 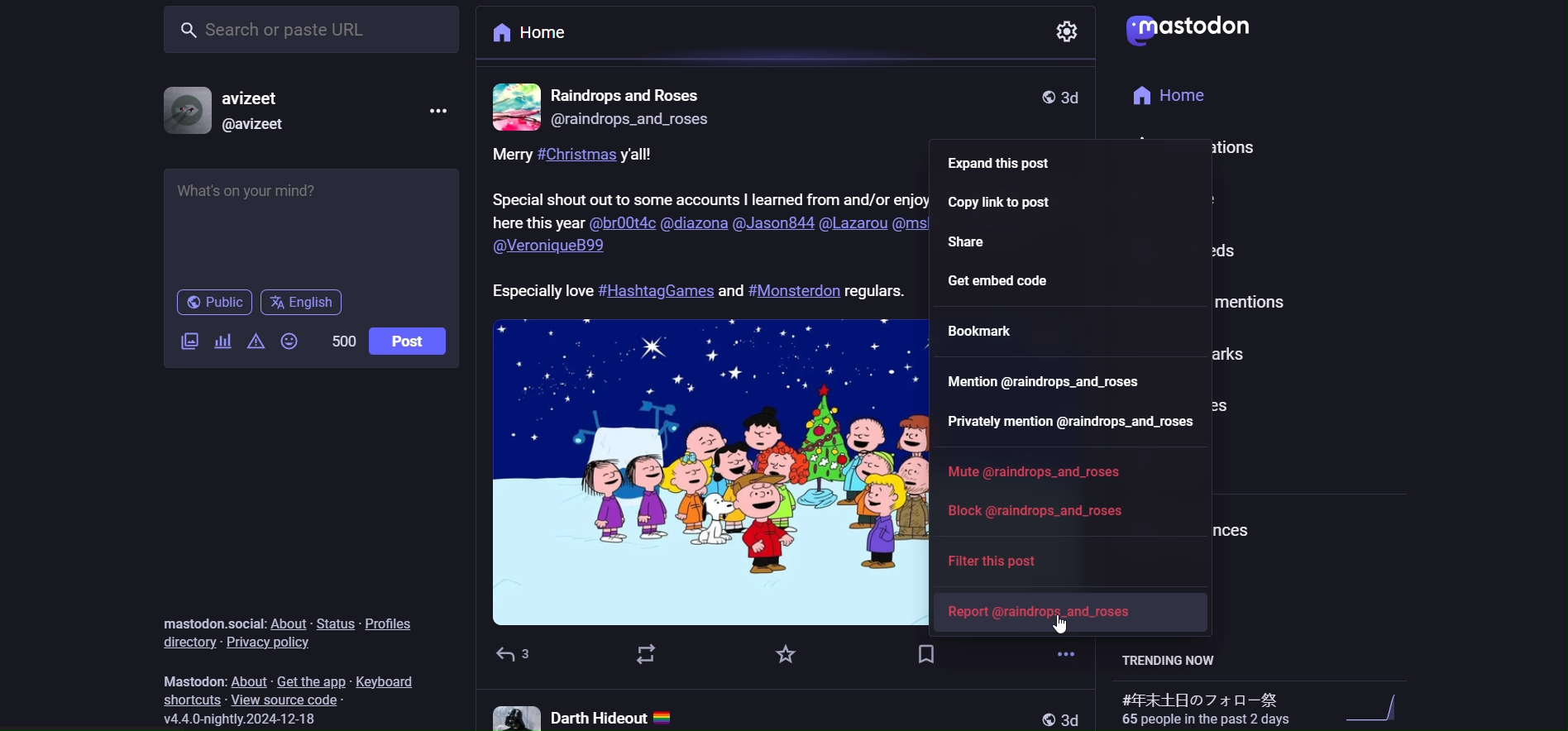 I want to click on filter this post, so click(x=1006, y=563).